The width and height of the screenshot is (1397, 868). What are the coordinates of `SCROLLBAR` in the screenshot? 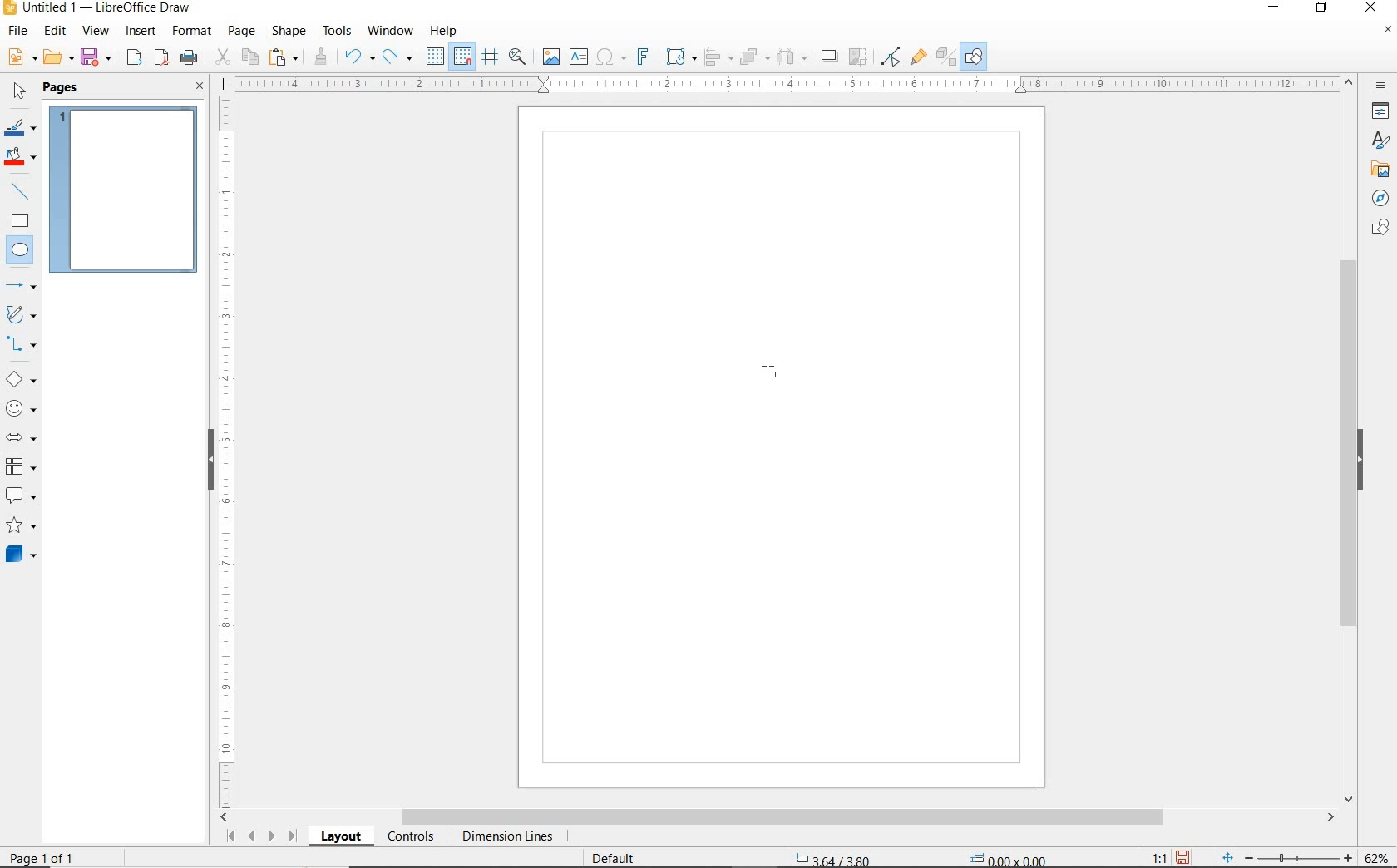 It's located at (1349, 441).